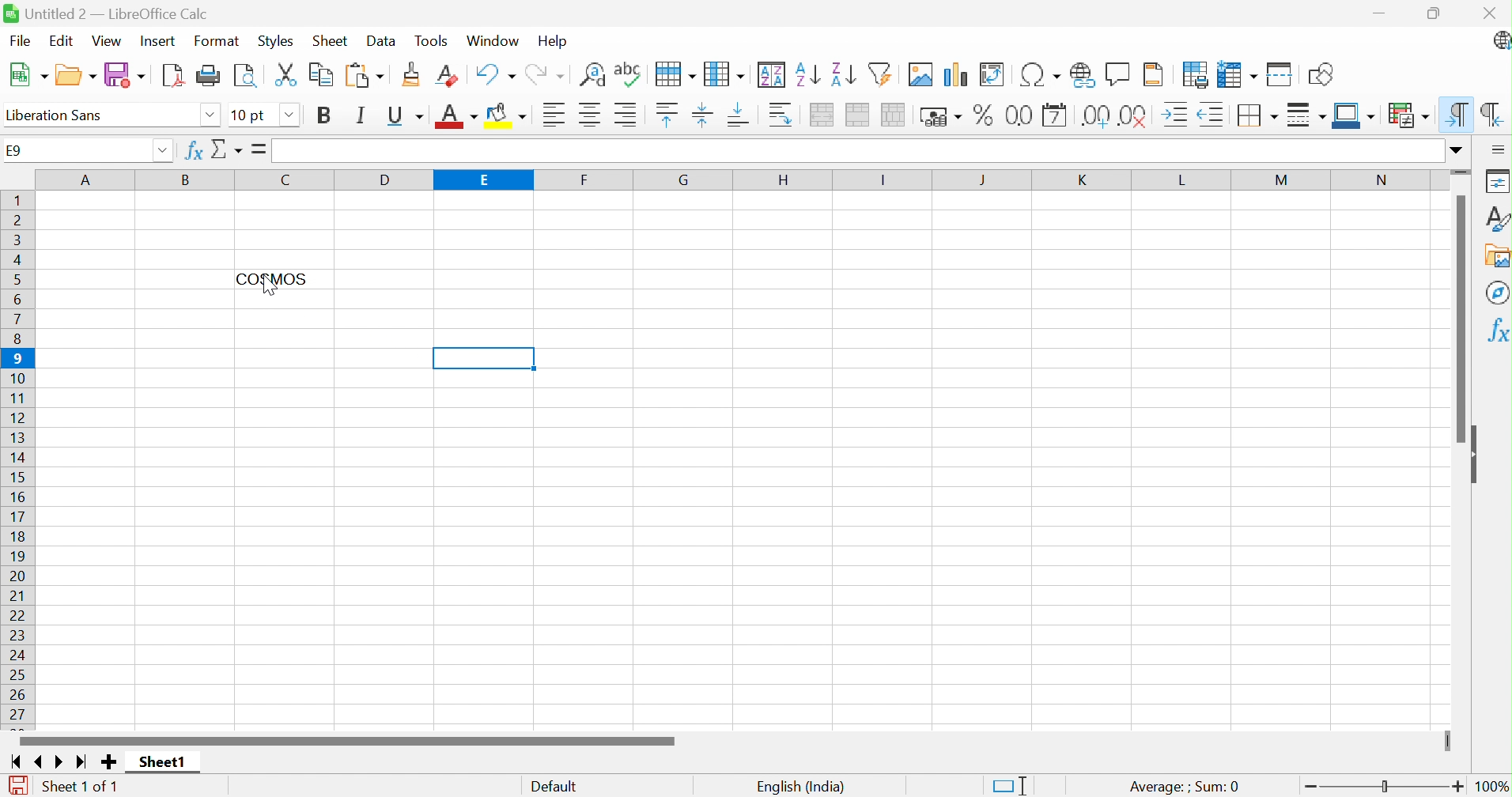 This screenshot has height=797, width=1512. Describe the element at coordinates (625, 113) in the screenshot. I see `Align right` at that location.